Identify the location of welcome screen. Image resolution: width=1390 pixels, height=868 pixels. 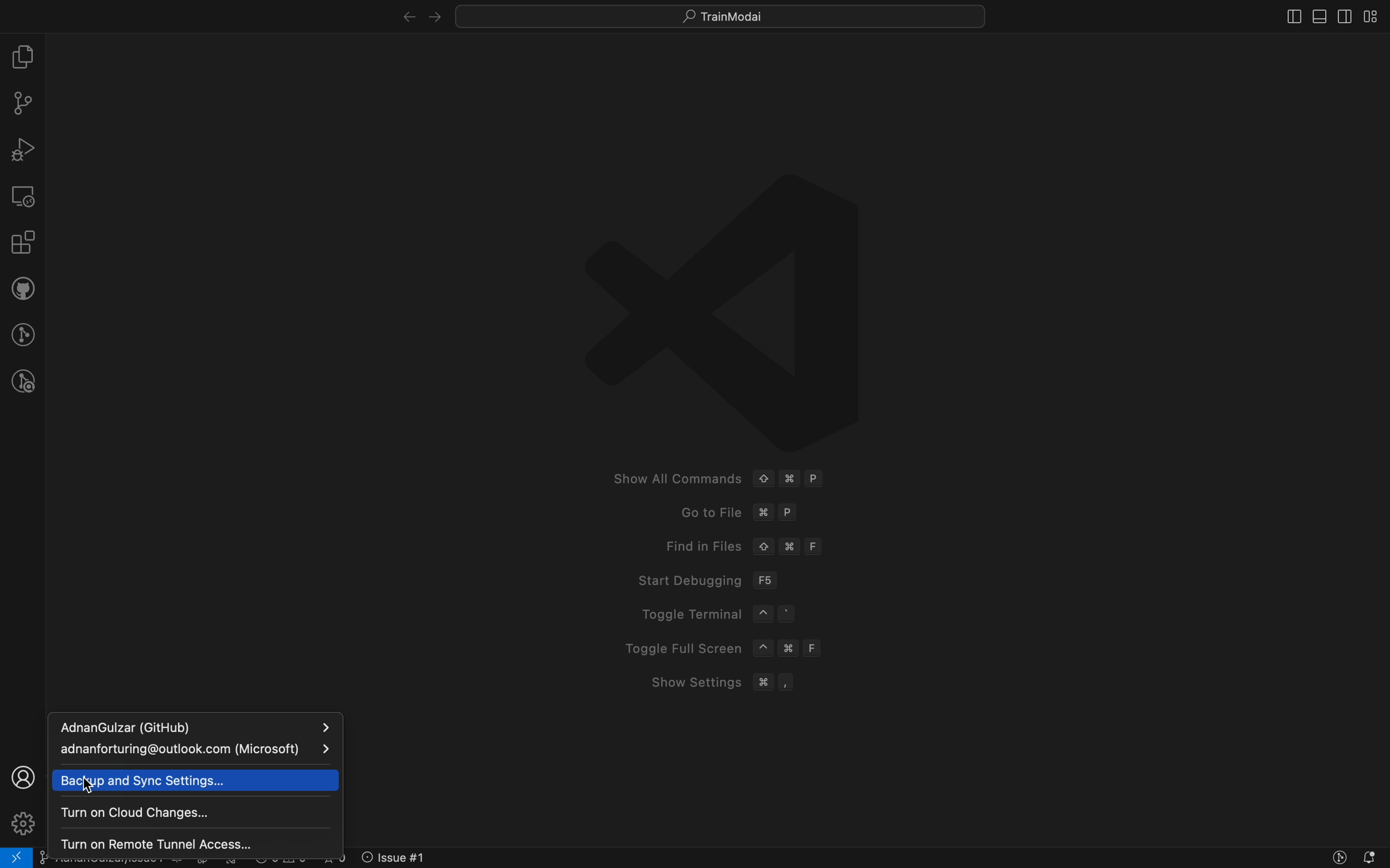
(728, 371).